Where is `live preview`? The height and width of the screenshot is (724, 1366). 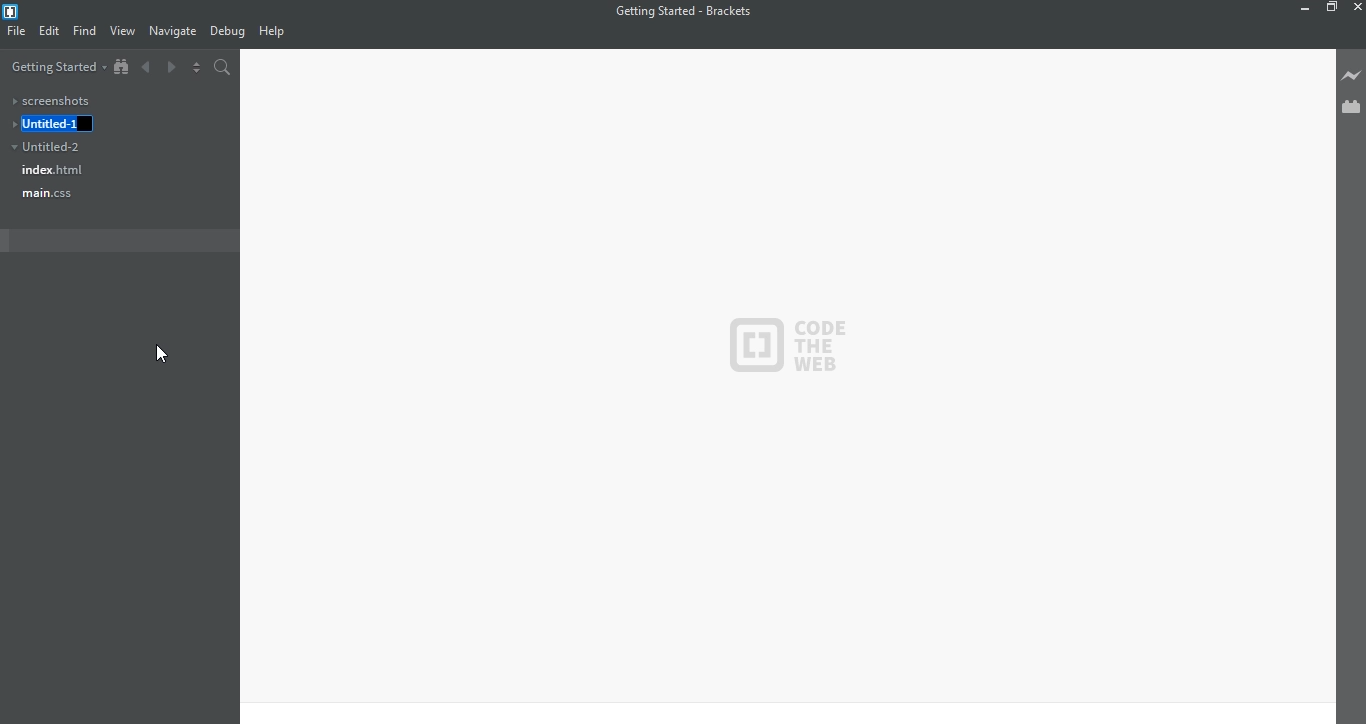 live preview is located at coordinates (1349, 74).